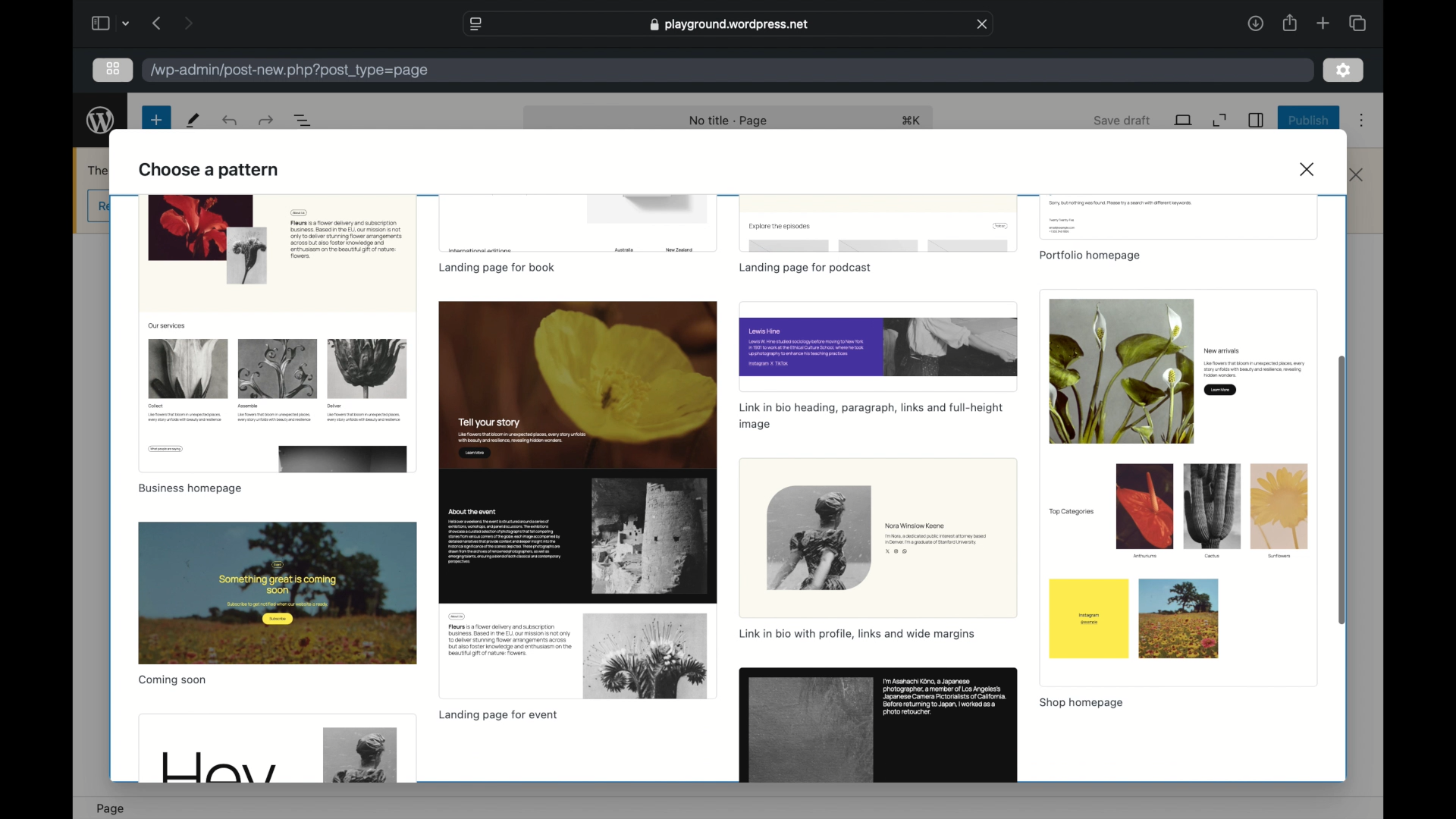 The image size is (1456, 819). Describe the element at coordinates (1357, 175) in the screenshot. I see `close` at that location.